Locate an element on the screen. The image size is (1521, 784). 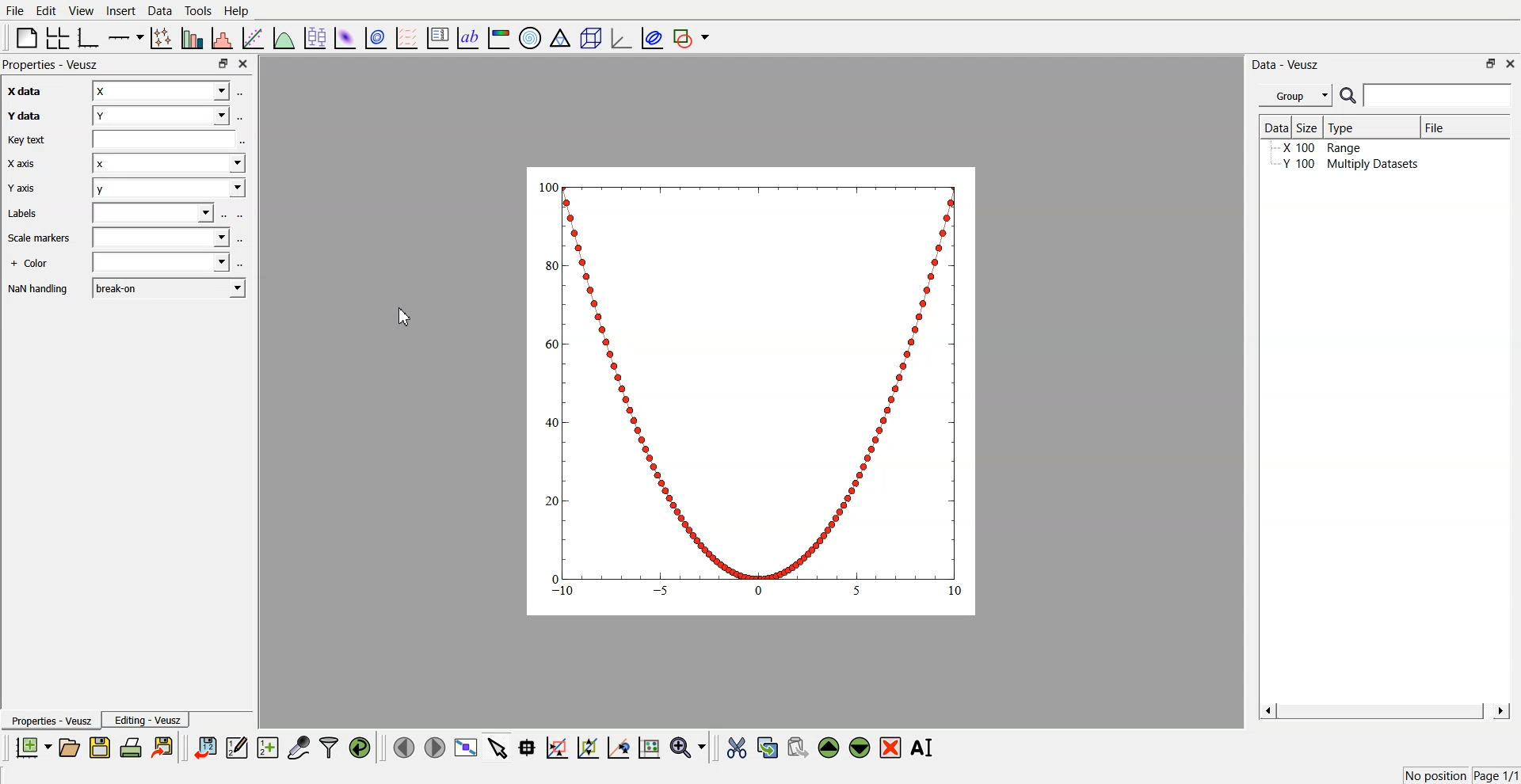
add a shape is located at coordinates (692, 39).